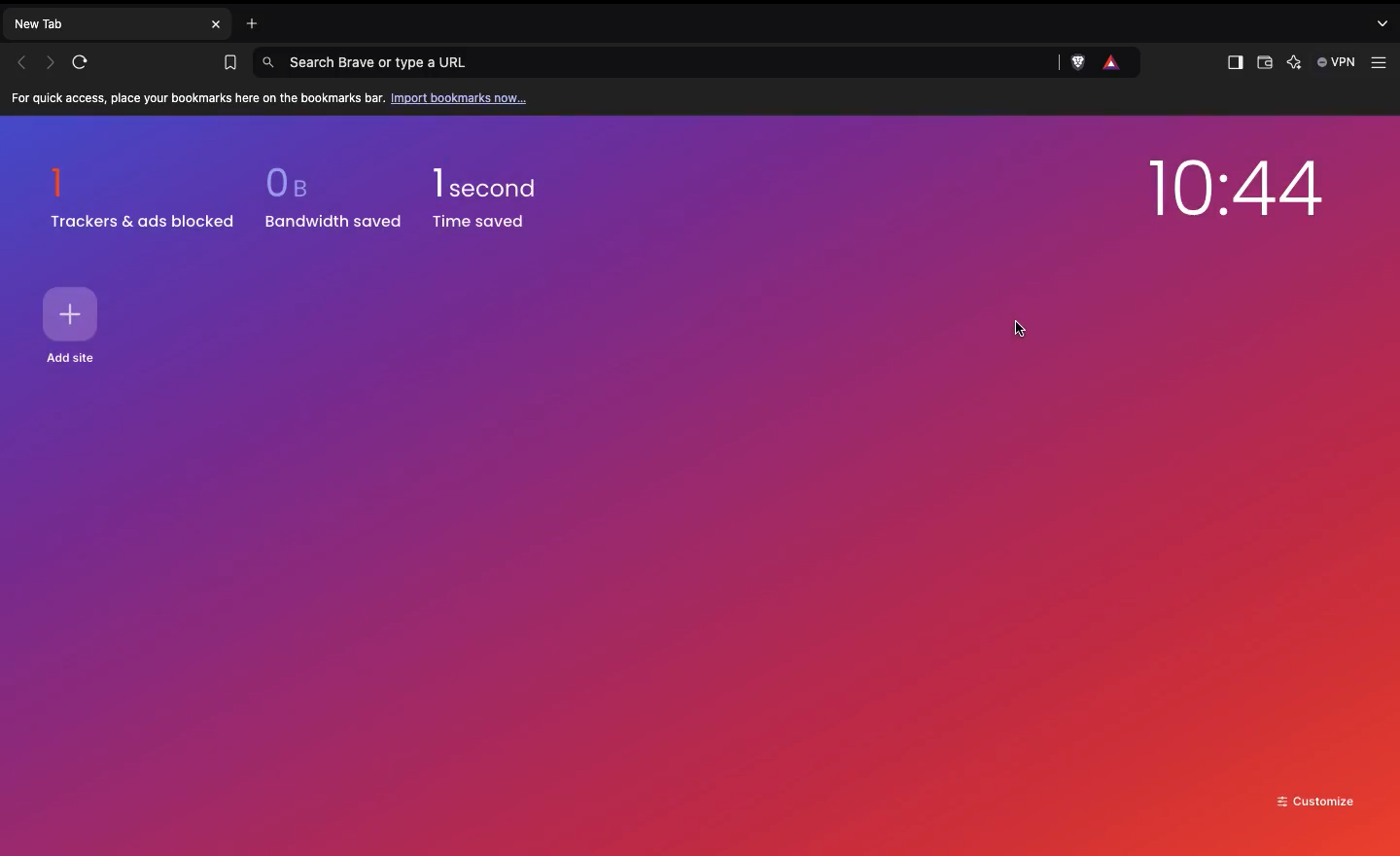  What do you see at coordinates (74, 314) in the screenshot?
I see `Add site` at bounding box center [74, 314].